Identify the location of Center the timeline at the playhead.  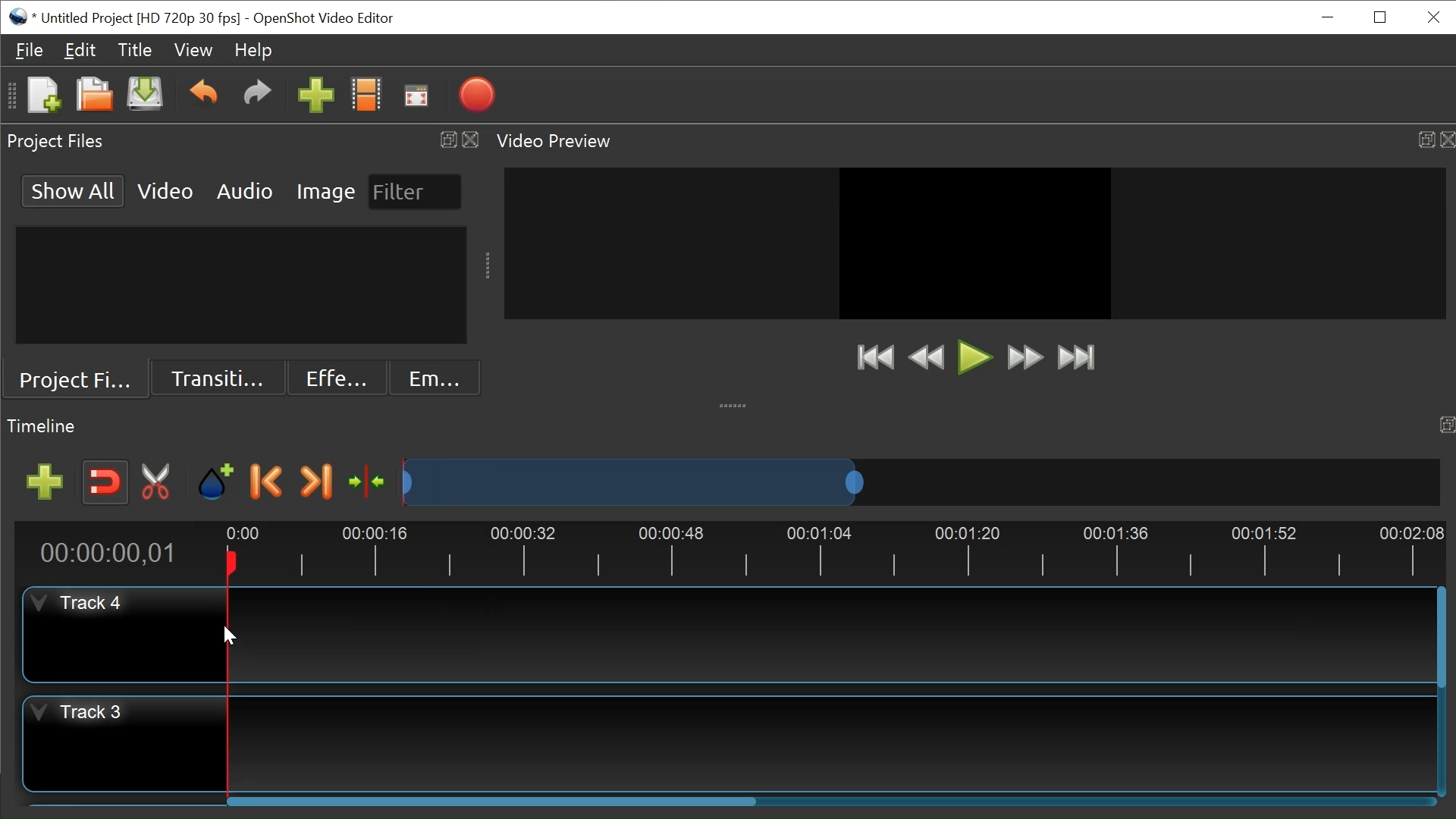
(370, 483).